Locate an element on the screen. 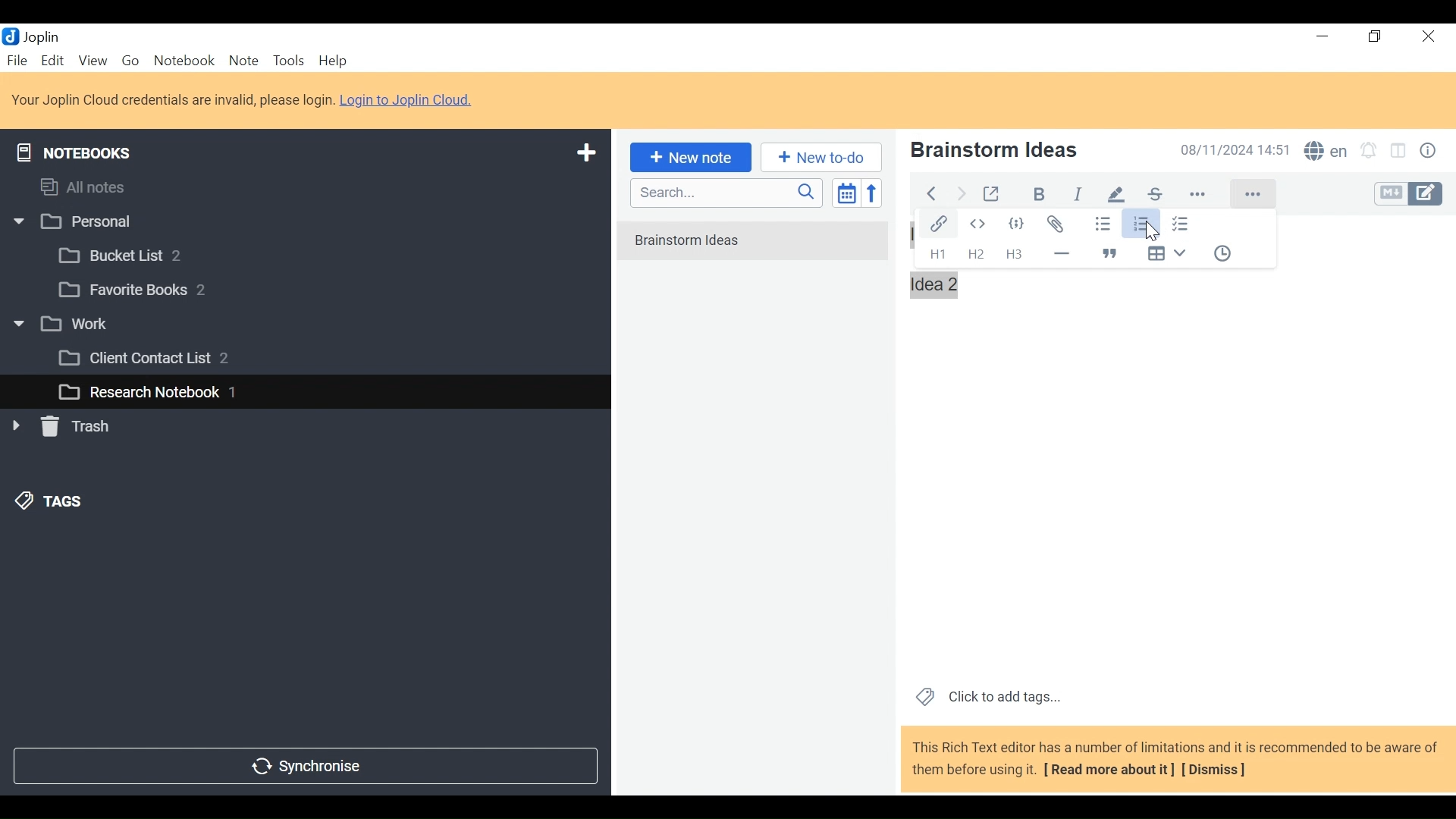 The image size is (1456, 819). Synchronize is located at coordinates (304, 764).